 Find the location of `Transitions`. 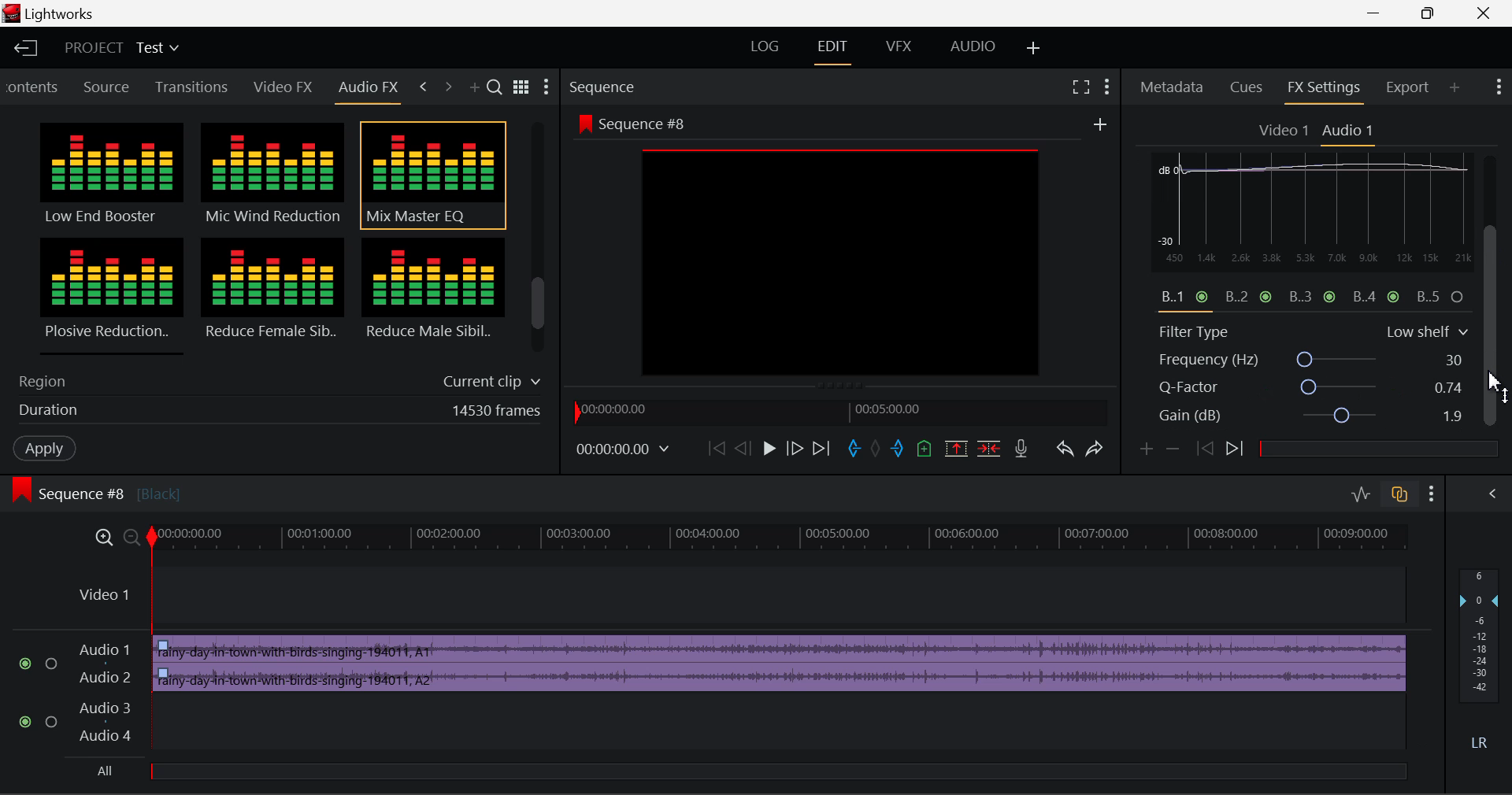

Transitions is located at coordinates (192, 87).